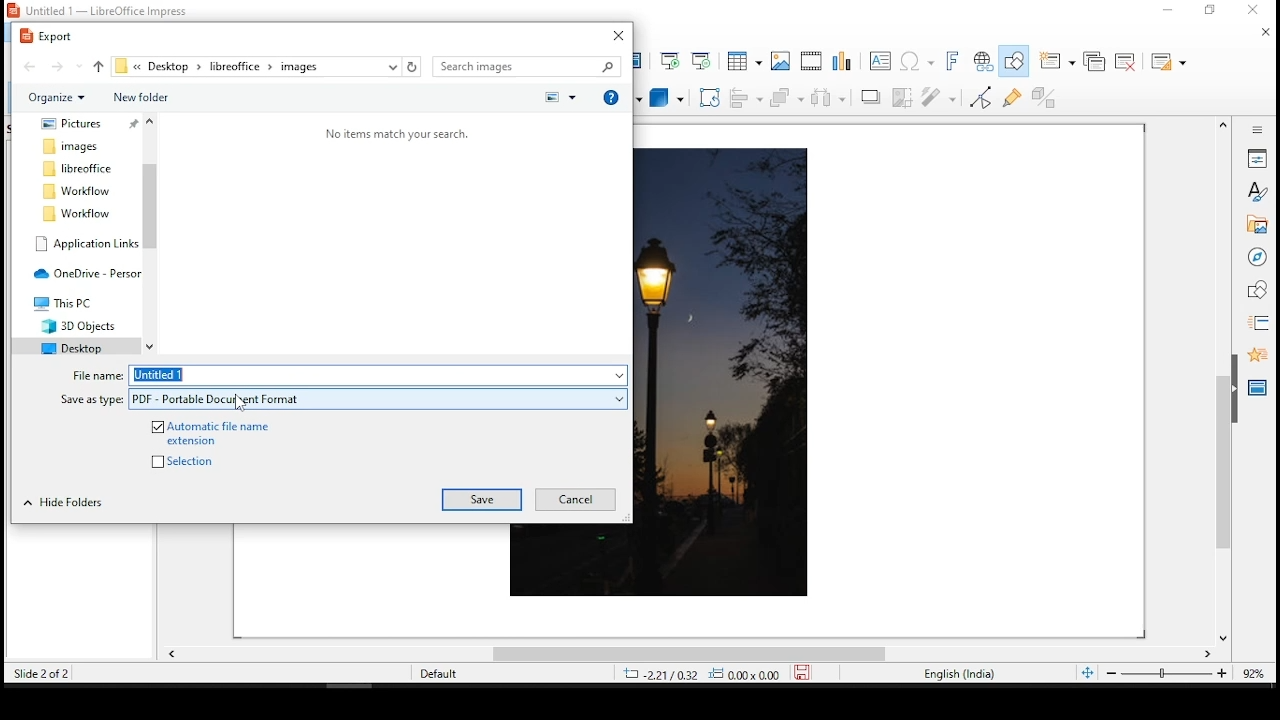 Image resolution: width=1280 pixels, height=720 pixels. What do you see at coordinates (1181, 673) in the screenshot?
I see `zoom` at bounding box center [1181, 673].